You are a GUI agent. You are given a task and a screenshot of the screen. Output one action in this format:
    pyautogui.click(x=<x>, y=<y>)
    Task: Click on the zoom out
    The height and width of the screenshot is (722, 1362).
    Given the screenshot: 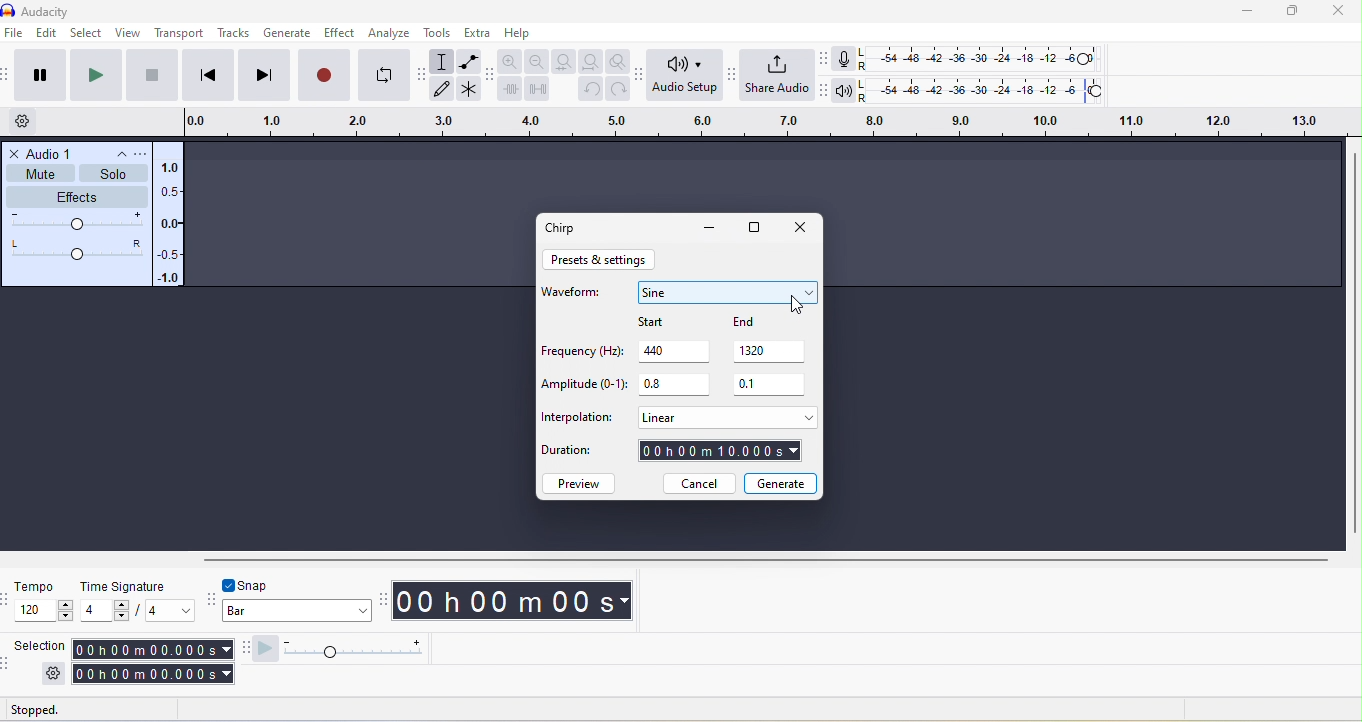 What is the action you would take?
    pyautogui.click(x=536, y=61)
    